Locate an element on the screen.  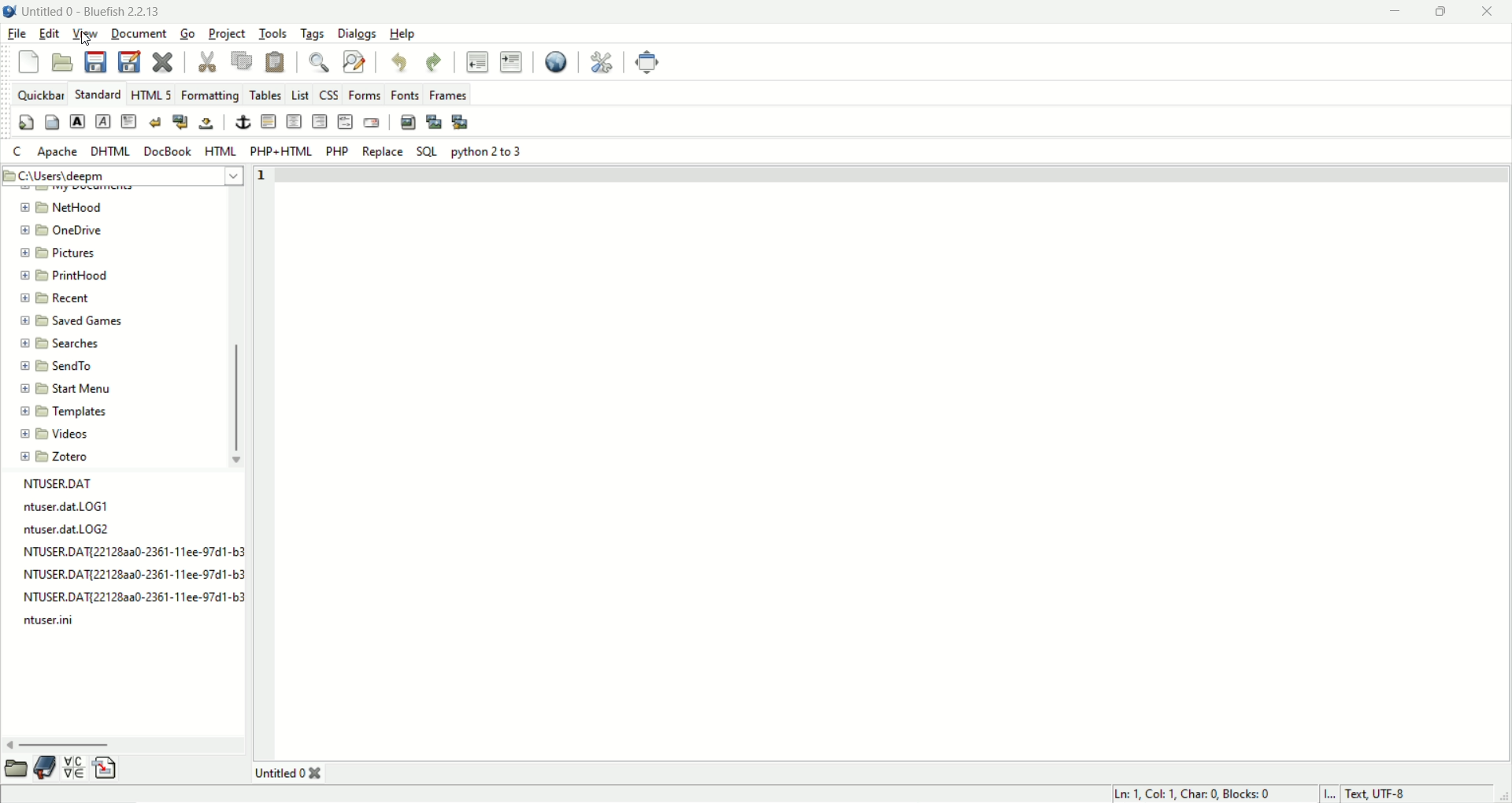
undo is located at coordinates (401, 64).